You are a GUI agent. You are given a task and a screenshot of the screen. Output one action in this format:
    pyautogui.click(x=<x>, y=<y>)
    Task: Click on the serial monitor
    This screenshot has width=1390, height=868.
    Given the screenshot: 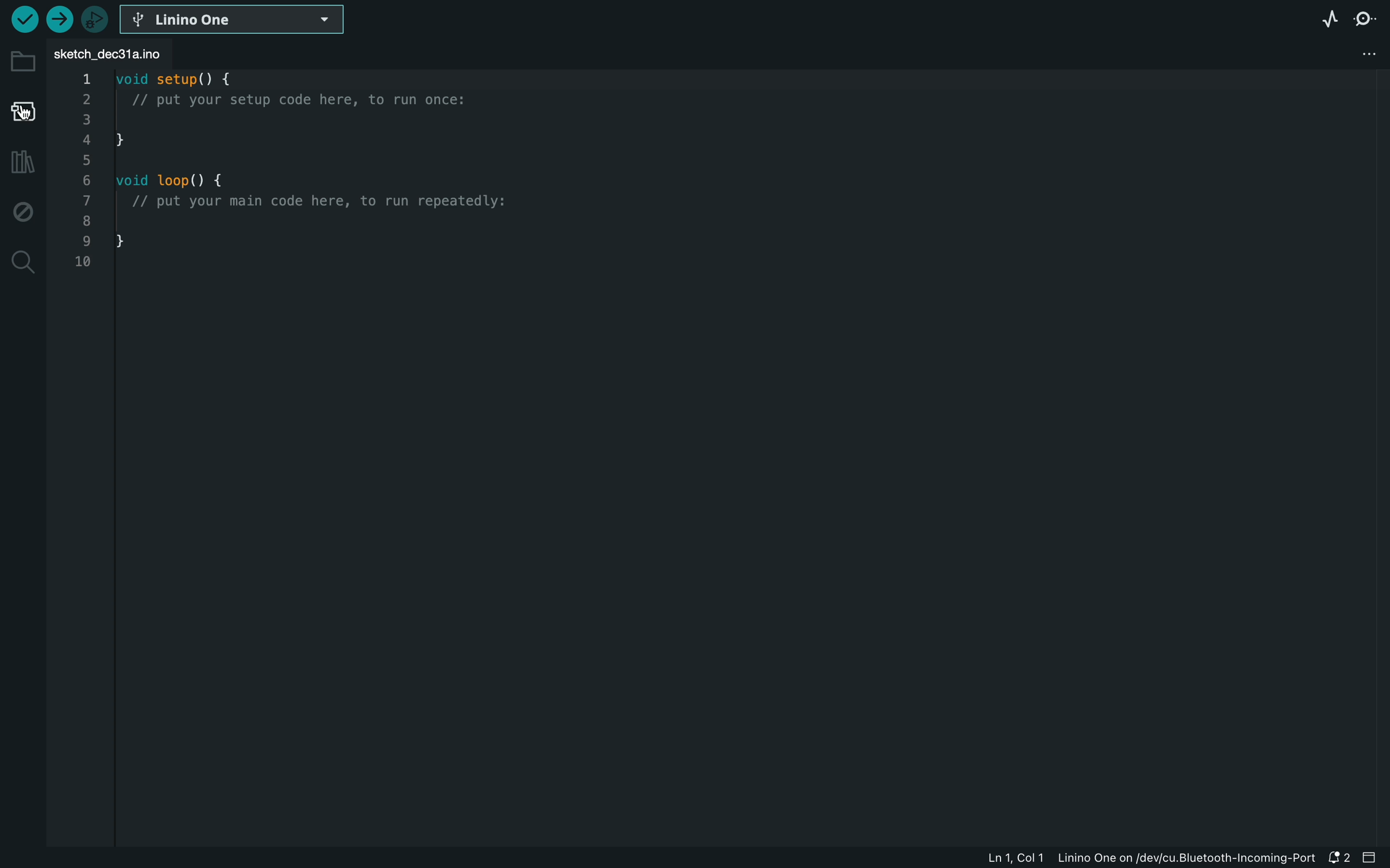 What is the action you would take?
    pyautogui.click(x=1368, y=20)
    